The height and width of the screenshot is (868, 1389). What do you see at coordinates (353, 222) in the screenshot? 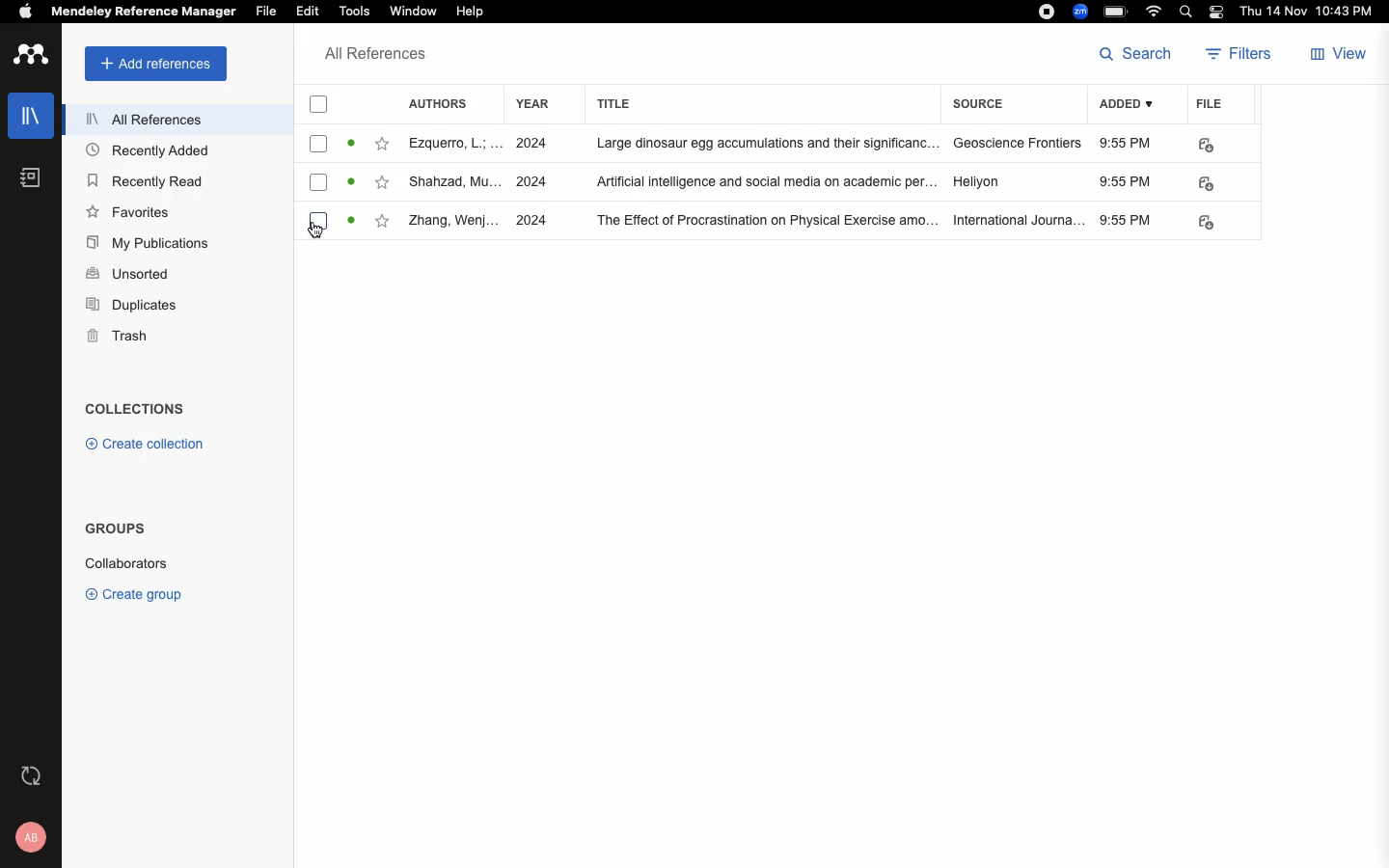
I see `read` at bounding box center [353, 222].